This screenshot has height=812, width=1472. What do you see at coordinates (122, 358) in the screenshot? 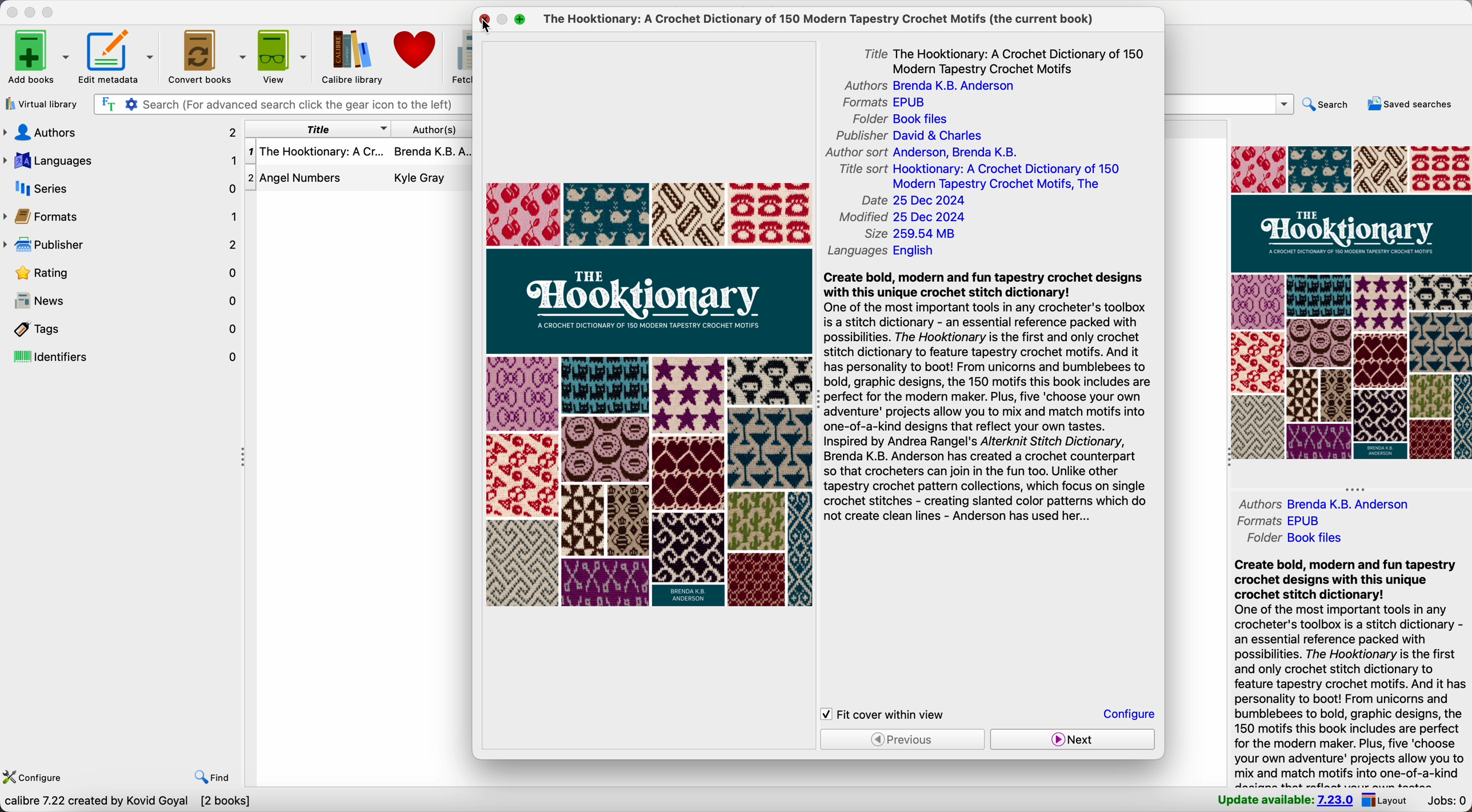
I see `identifiers` at bounding box center [122, 358].